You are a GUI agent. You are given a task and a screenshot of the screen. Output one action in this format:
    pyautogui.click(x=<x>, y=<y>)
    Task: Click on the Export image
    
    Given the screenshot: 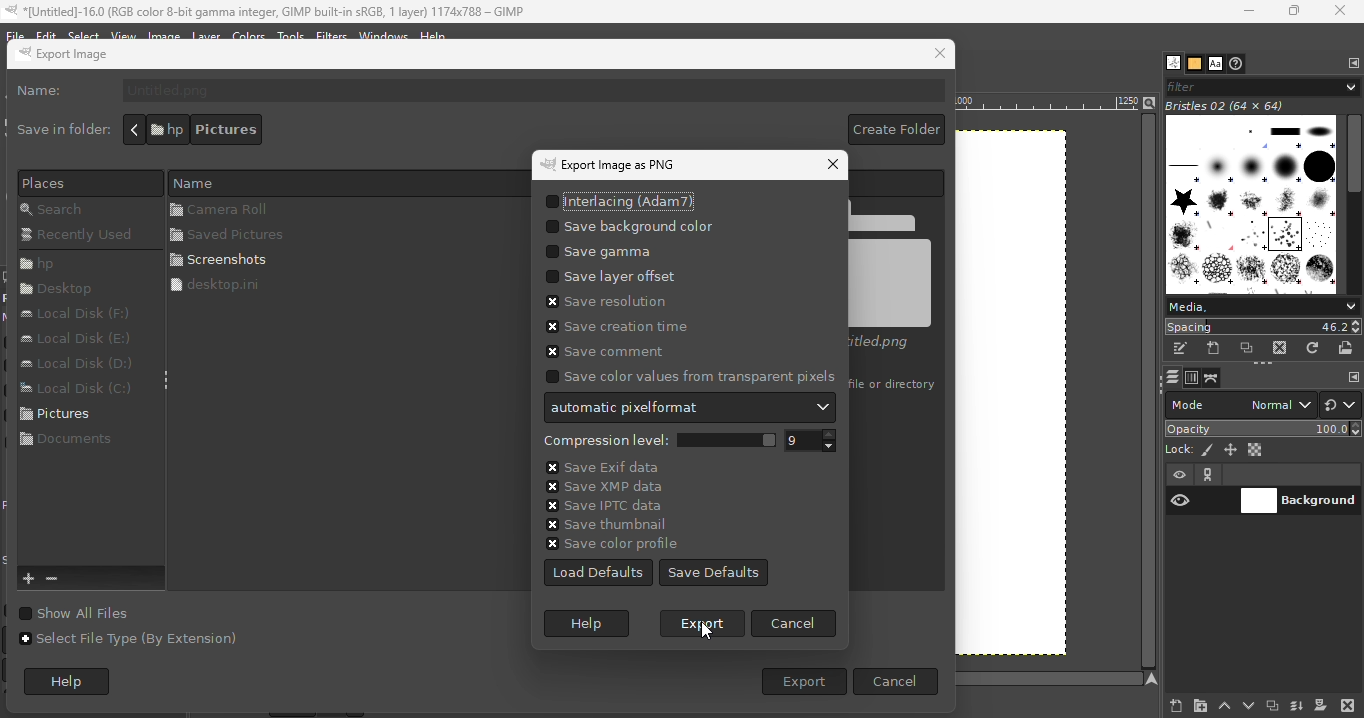 What is the action you would take?
    pyautogui.click(x=95, y=57)
    